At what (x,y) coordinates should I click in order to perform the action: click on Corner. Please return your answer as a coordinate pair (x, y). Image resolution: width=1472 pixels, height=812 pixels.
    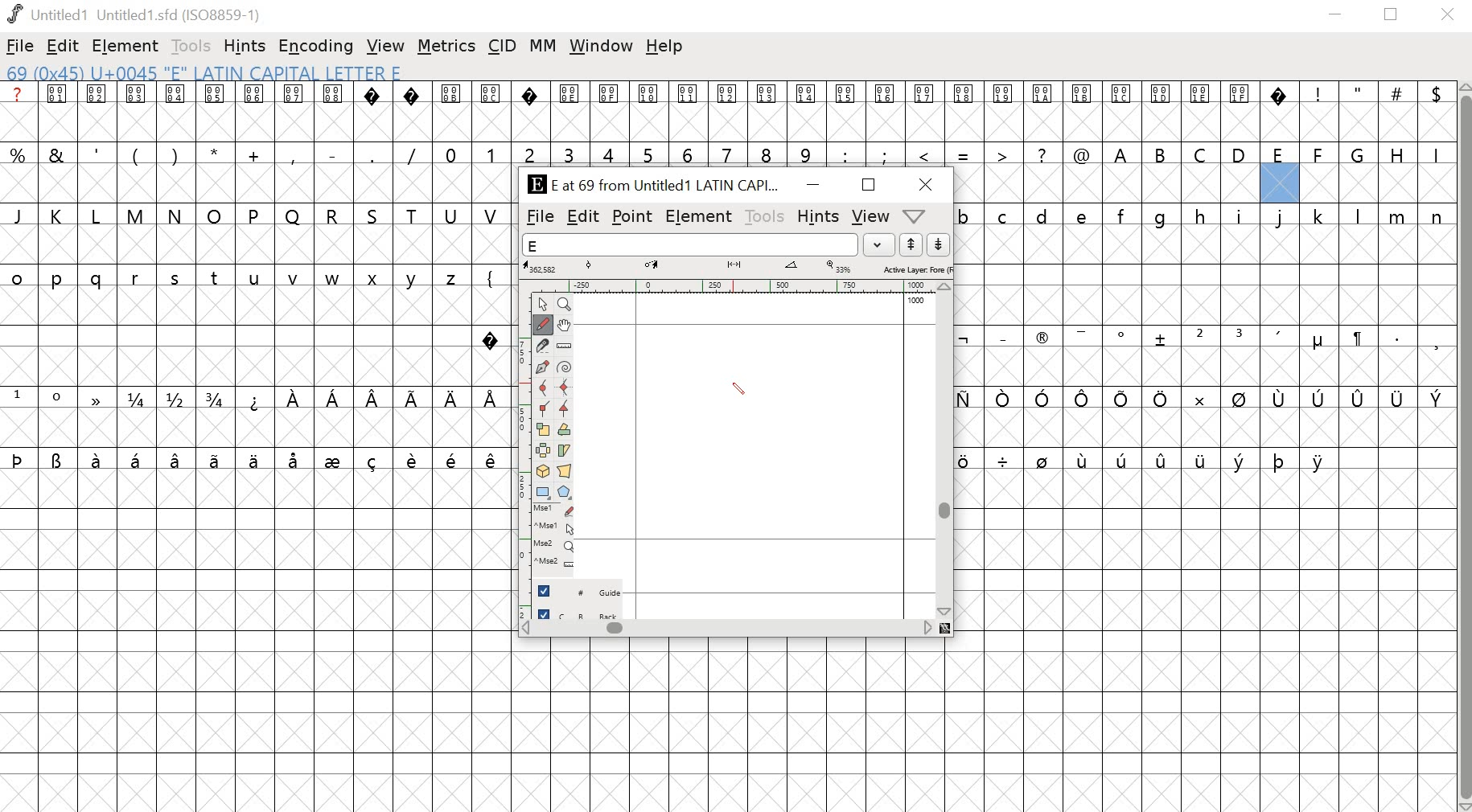
    Looking at the image, I should click on (543, 409).